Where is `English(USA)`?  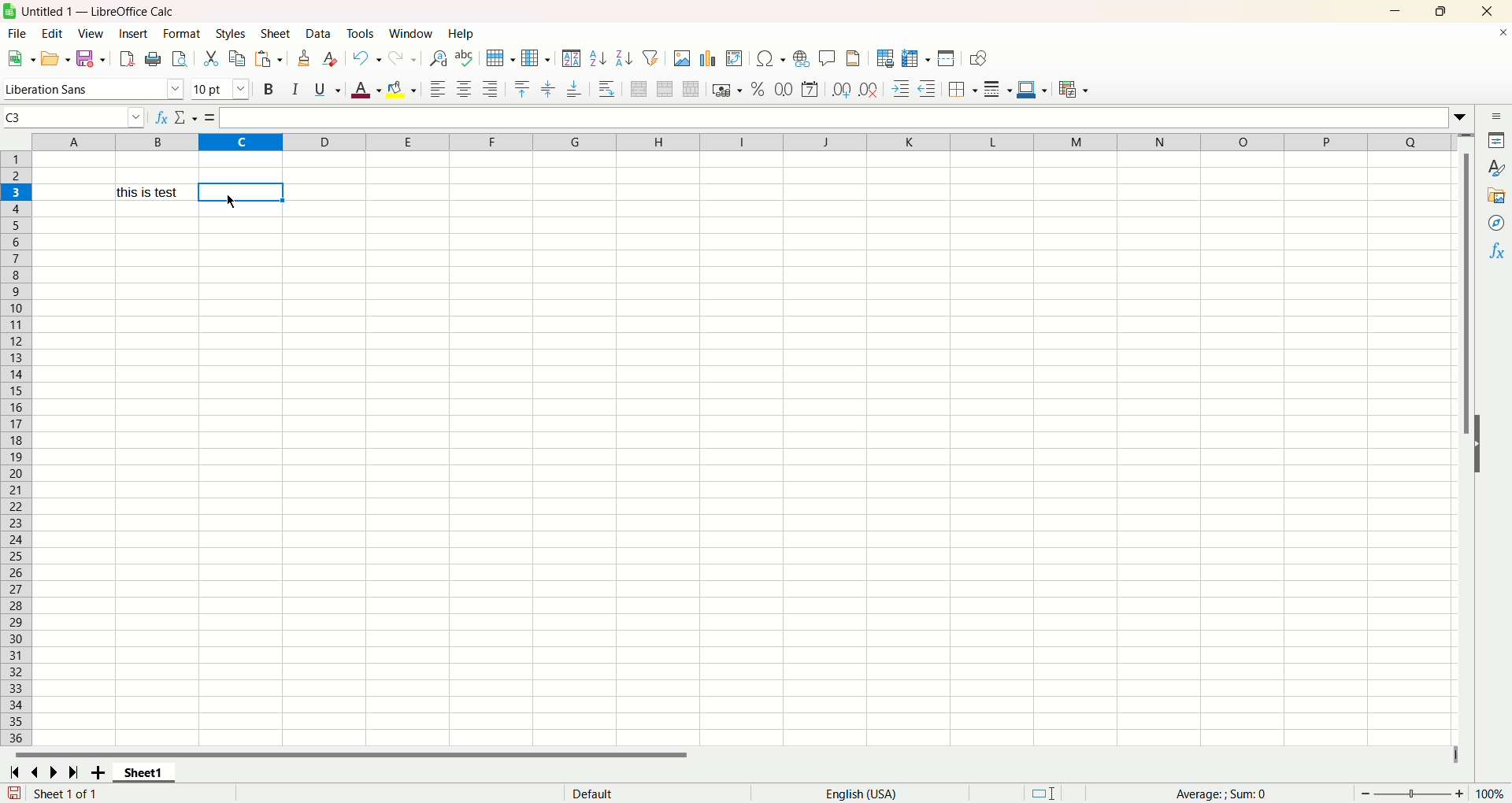 English(USA) is located at coordinates (866, 793).